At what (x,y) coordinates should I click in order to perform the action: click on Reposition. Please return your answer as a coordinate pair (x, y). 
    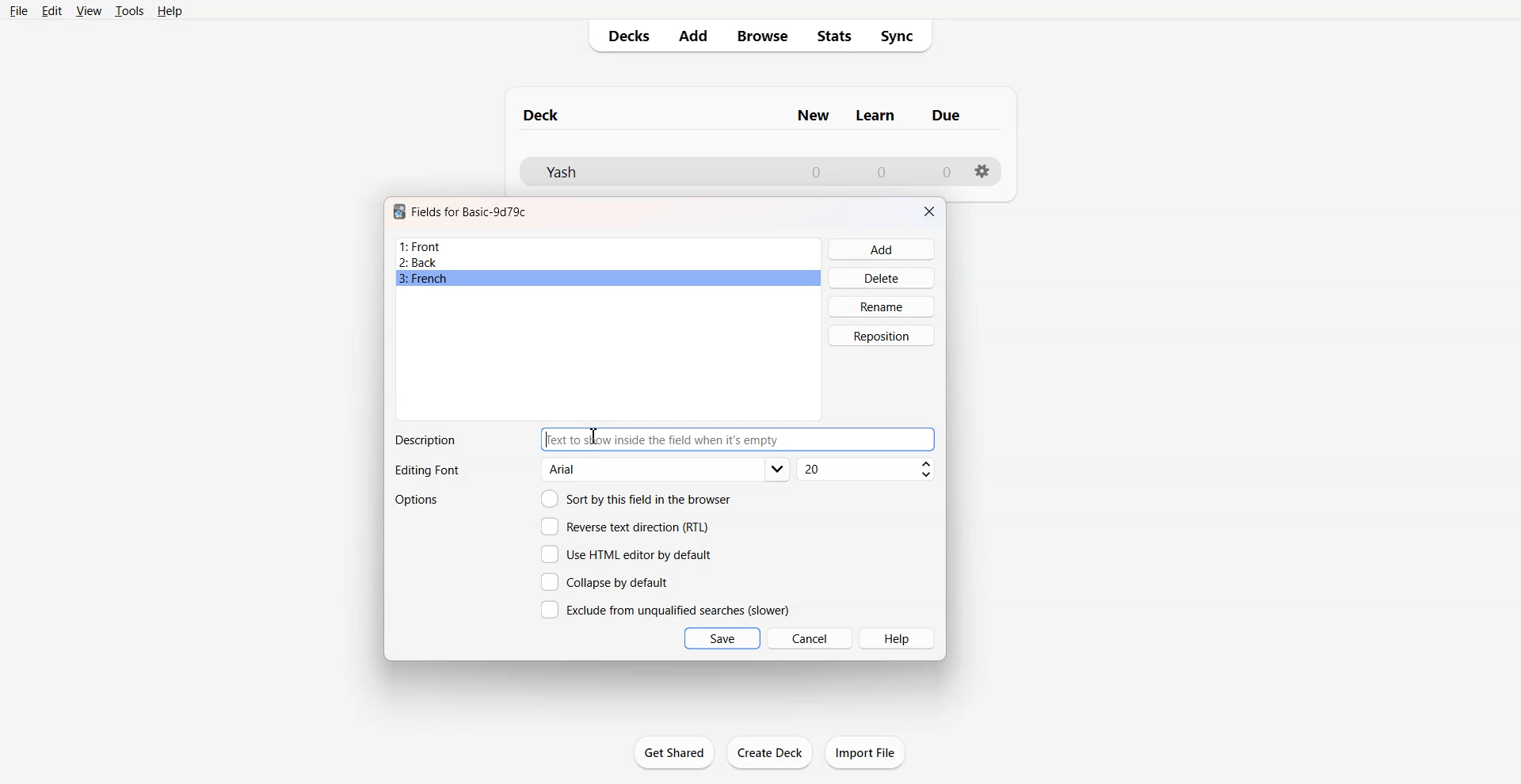
    Looking at the image, I should click on (882, 336).